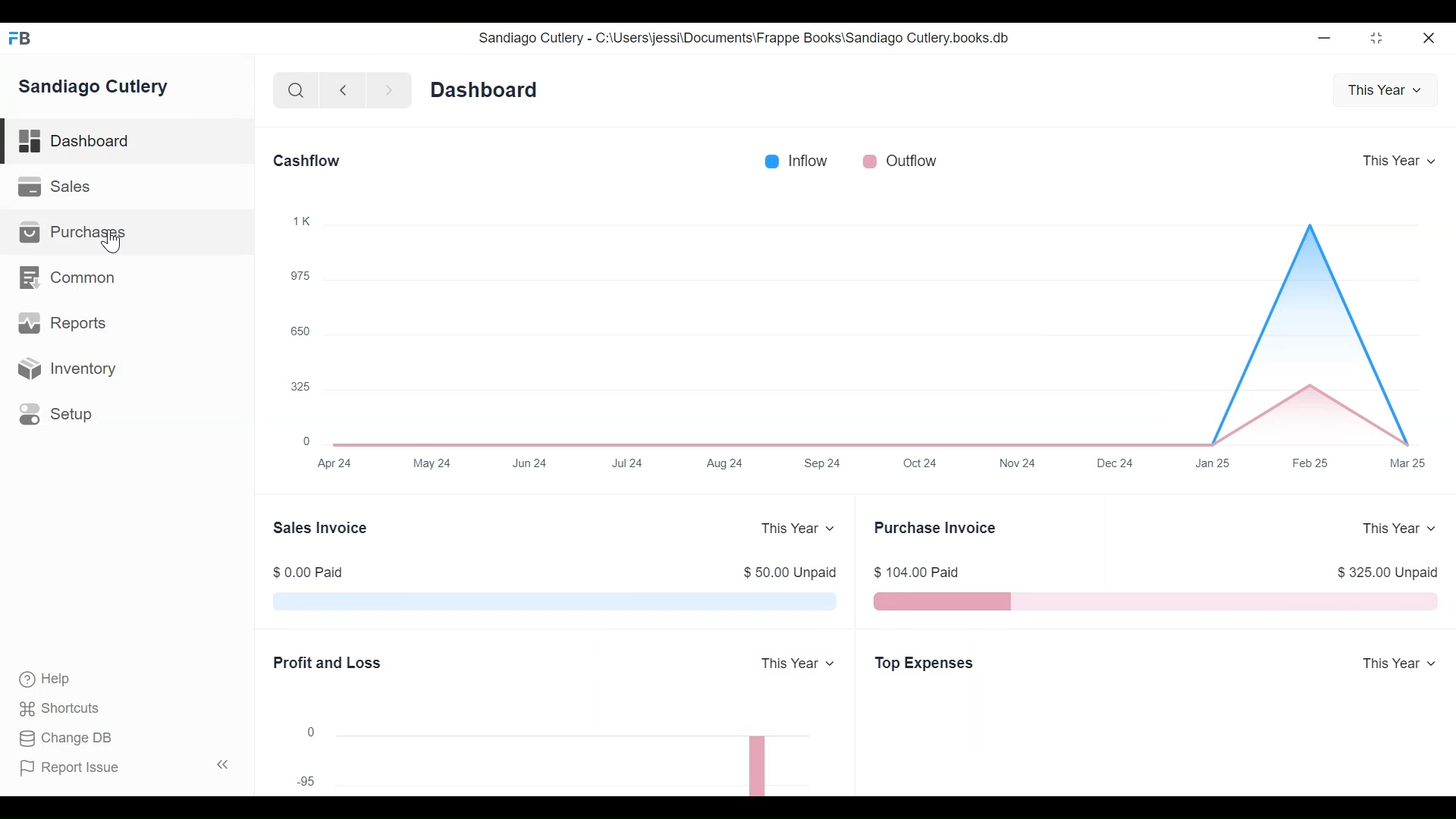 The width and height of the screenshot is (1456, 819). Describe the element at coordinates (1212, 465) in the screenshot. I see `Jan 25` at that location.